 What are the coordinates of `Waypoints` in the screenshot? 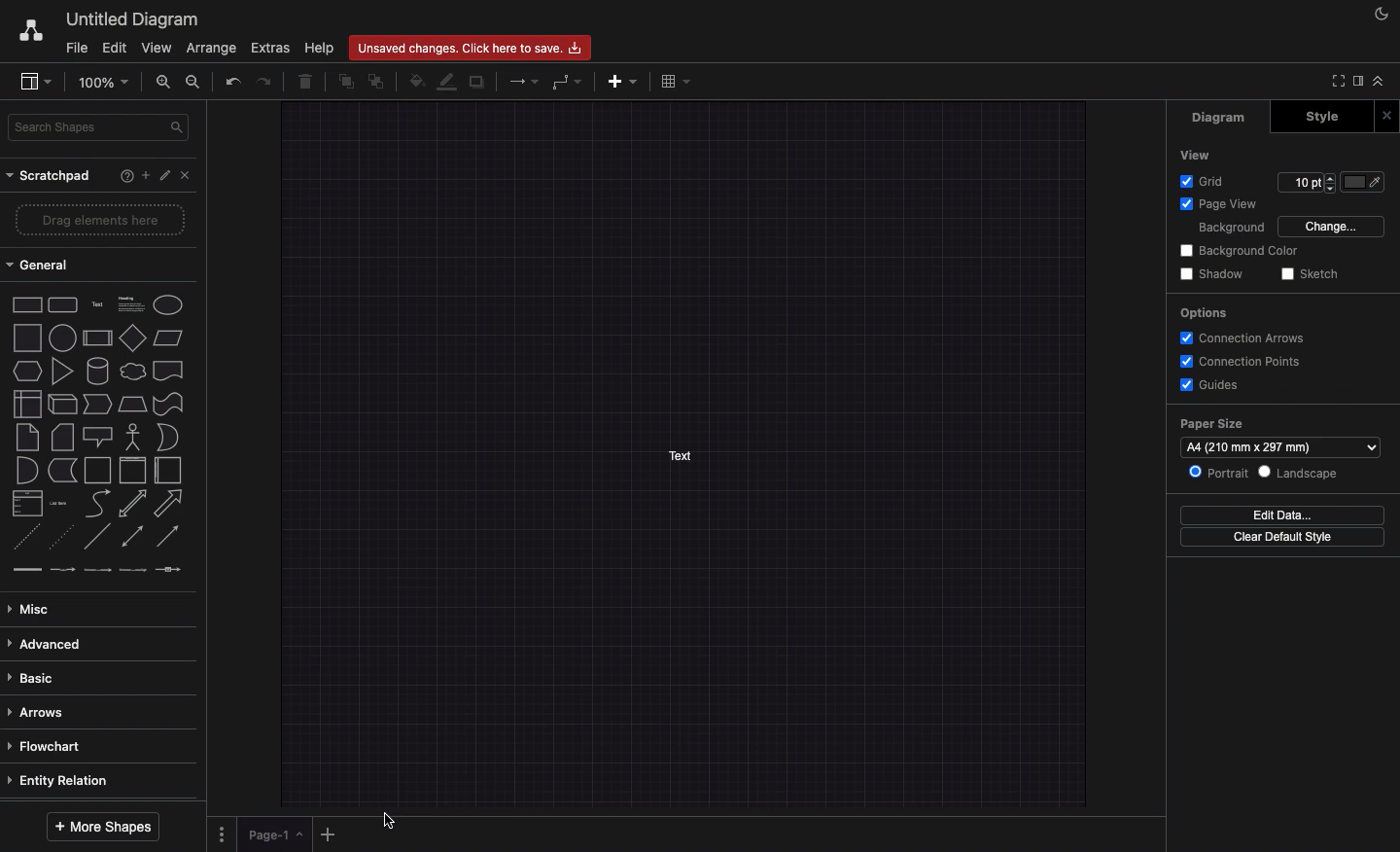 It's located at (567, 83).